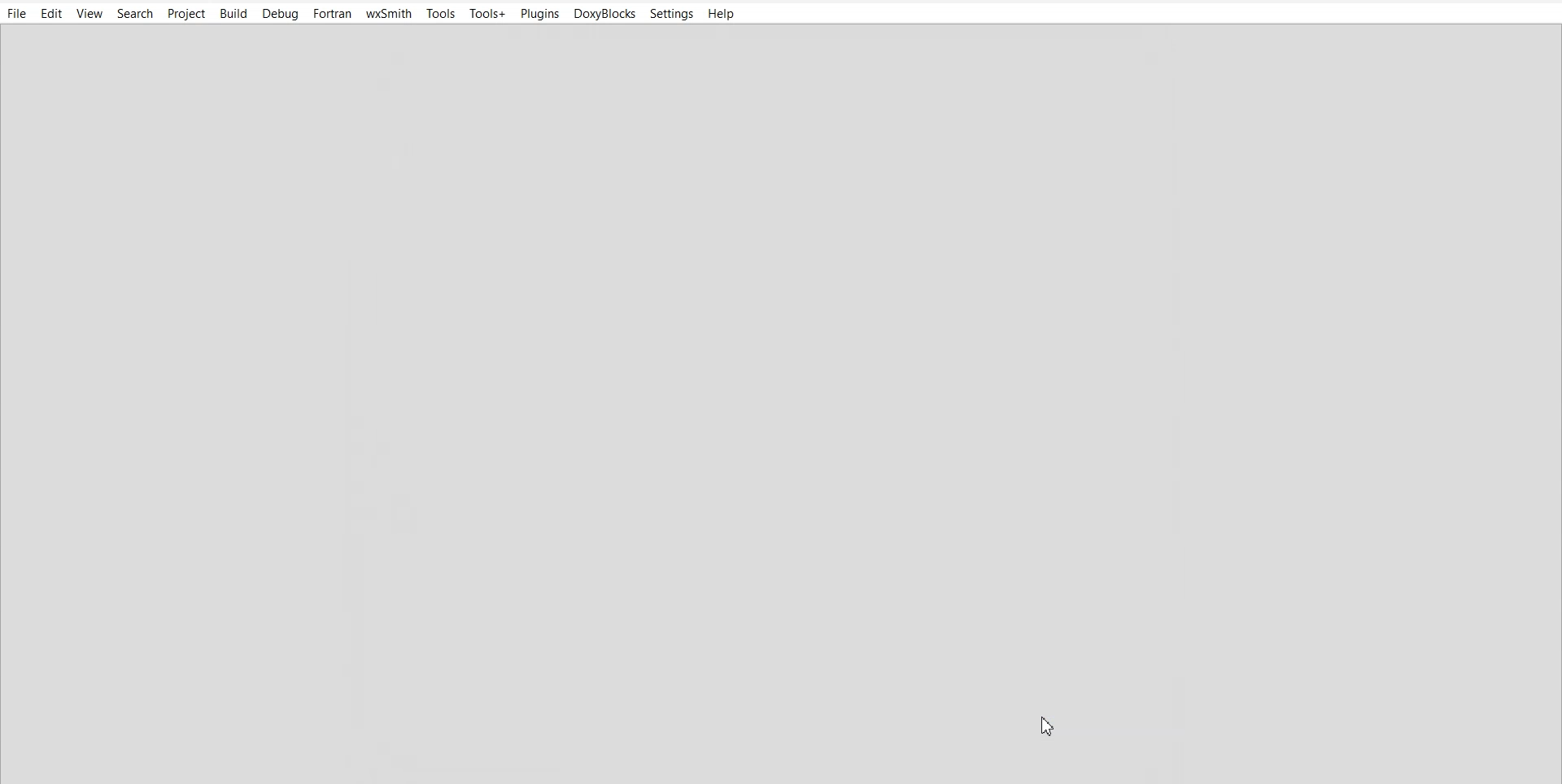 This screenshot has height=784, width=1562. Describe the element at coordinates (331, 14) in the screenshot. I see `Fortran` at that location.